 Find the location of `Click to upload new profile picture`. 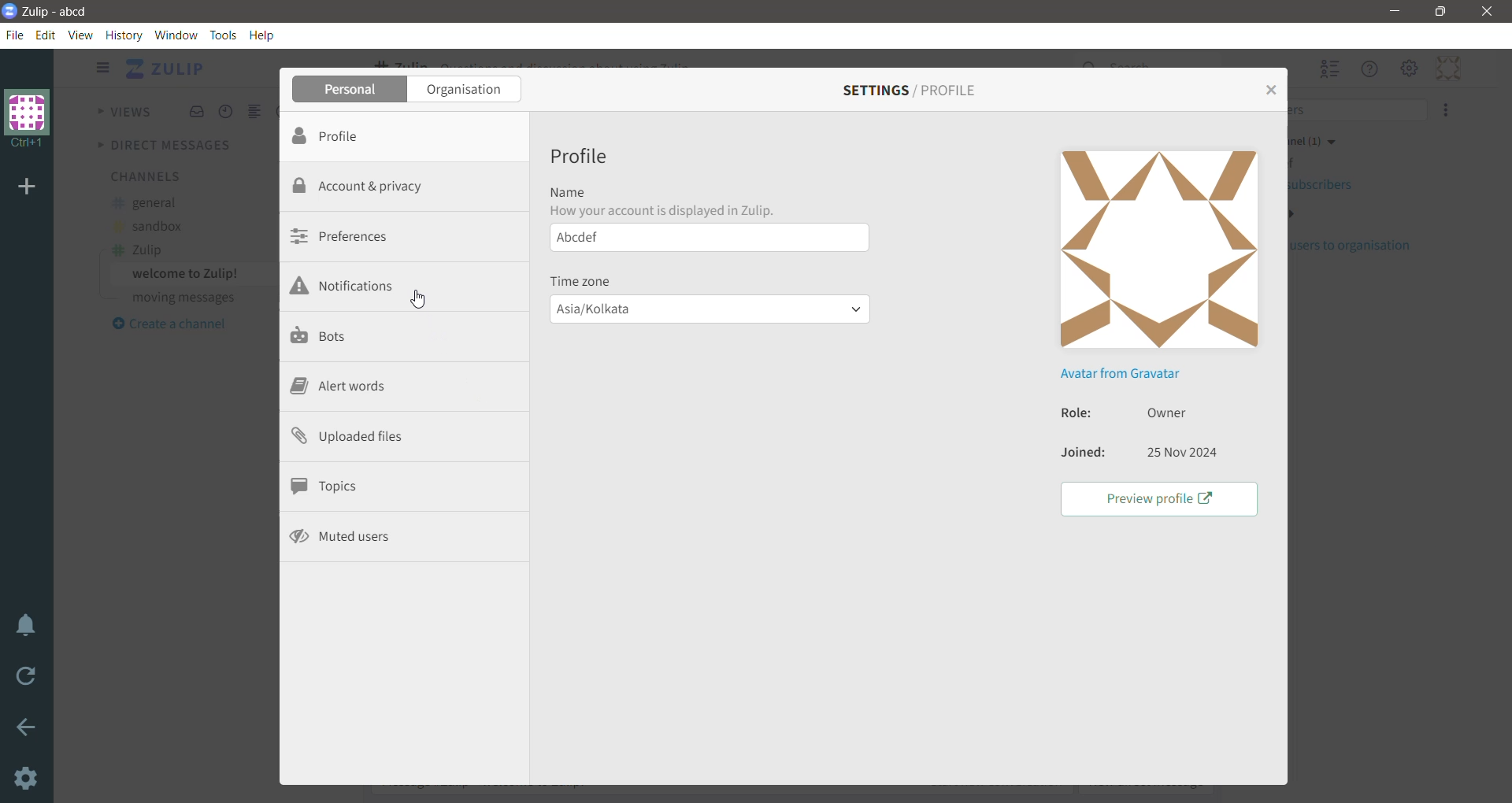

Click to upload new profile picture is located at coordinates (1160, 250).